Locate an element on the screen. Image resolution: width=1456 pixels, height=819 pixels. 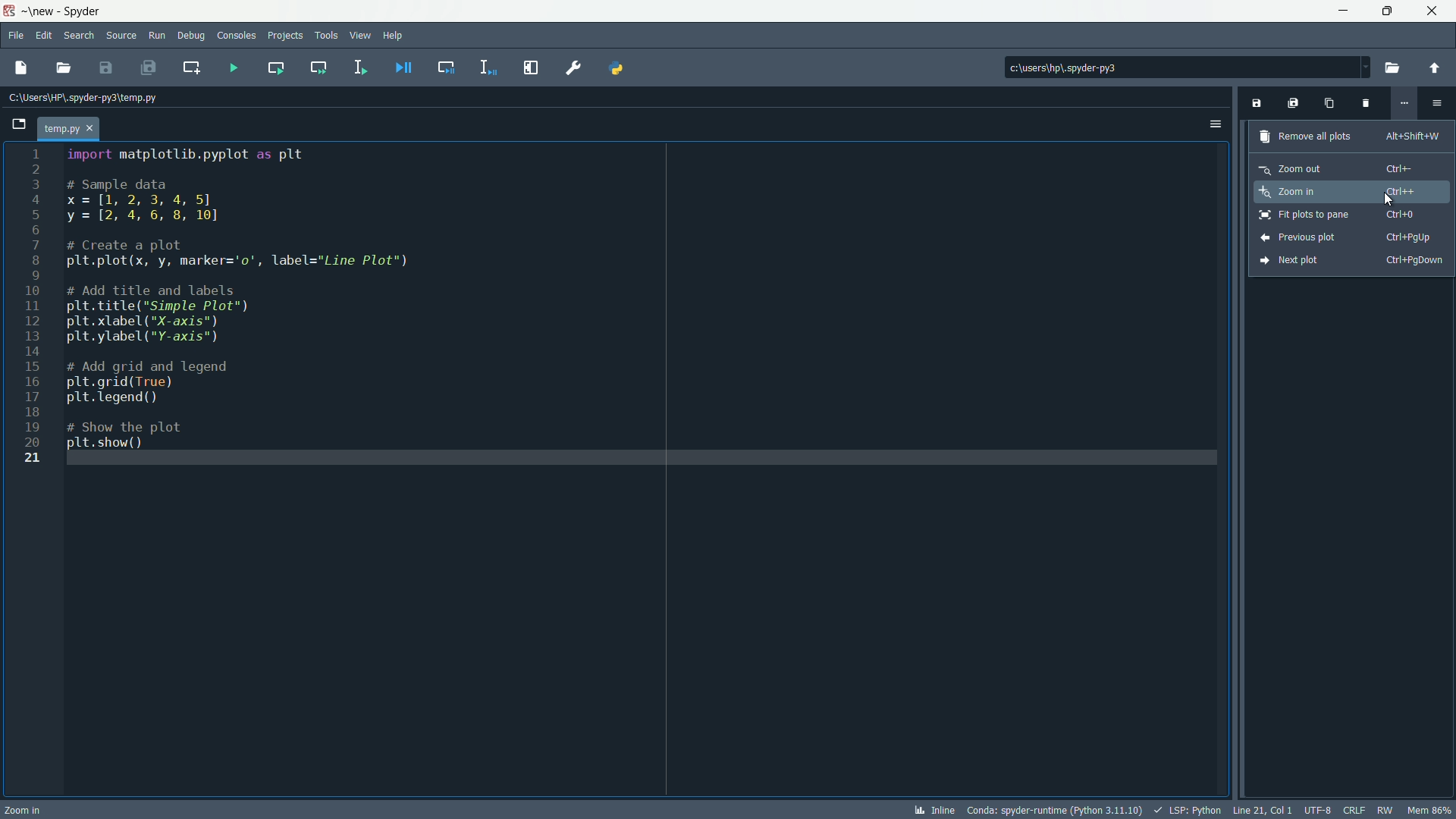
minimize is located at coordinates (1339, 10).